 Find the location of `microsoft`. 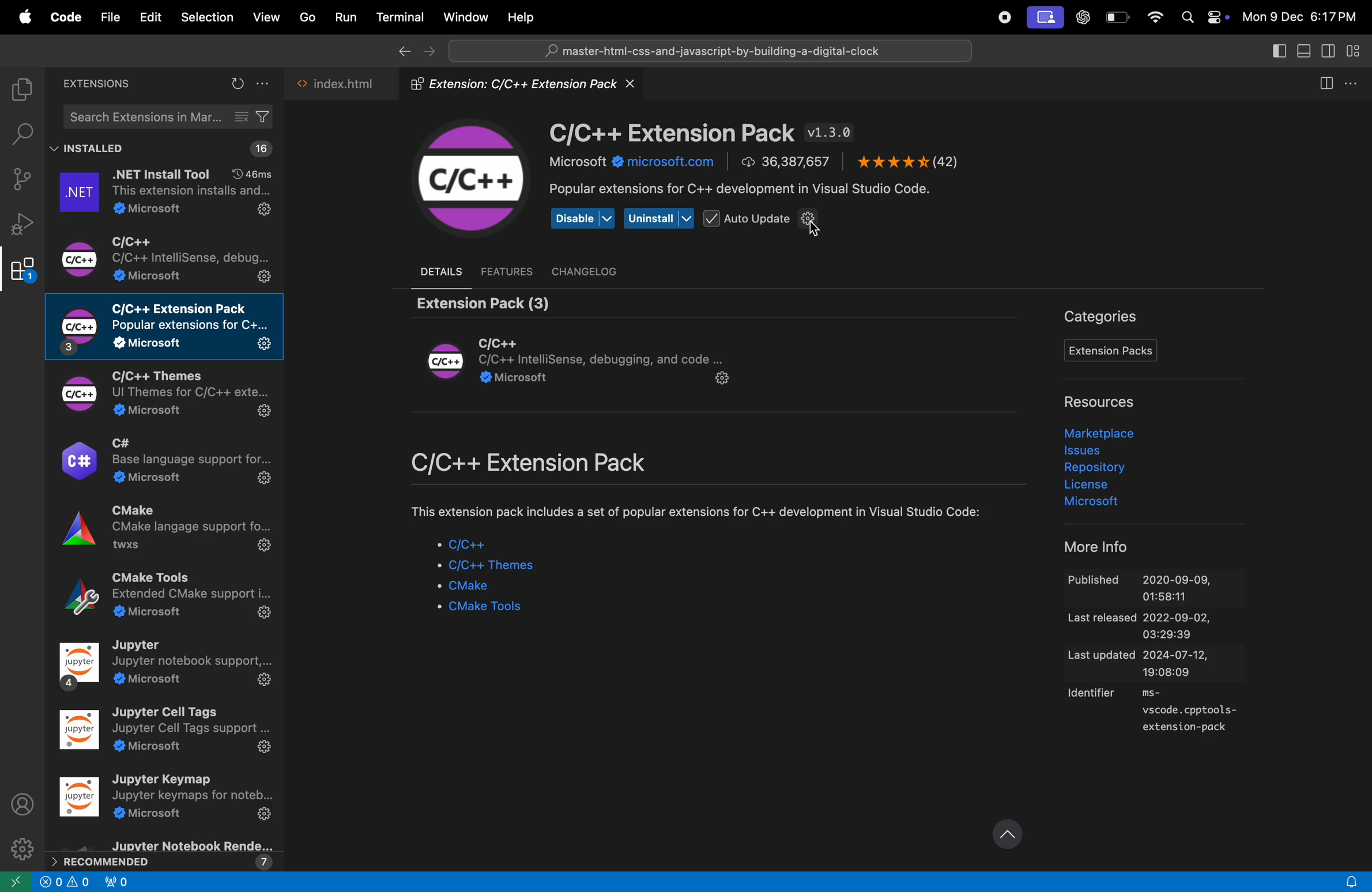

microsoft is located at coordinates (1101, 504).